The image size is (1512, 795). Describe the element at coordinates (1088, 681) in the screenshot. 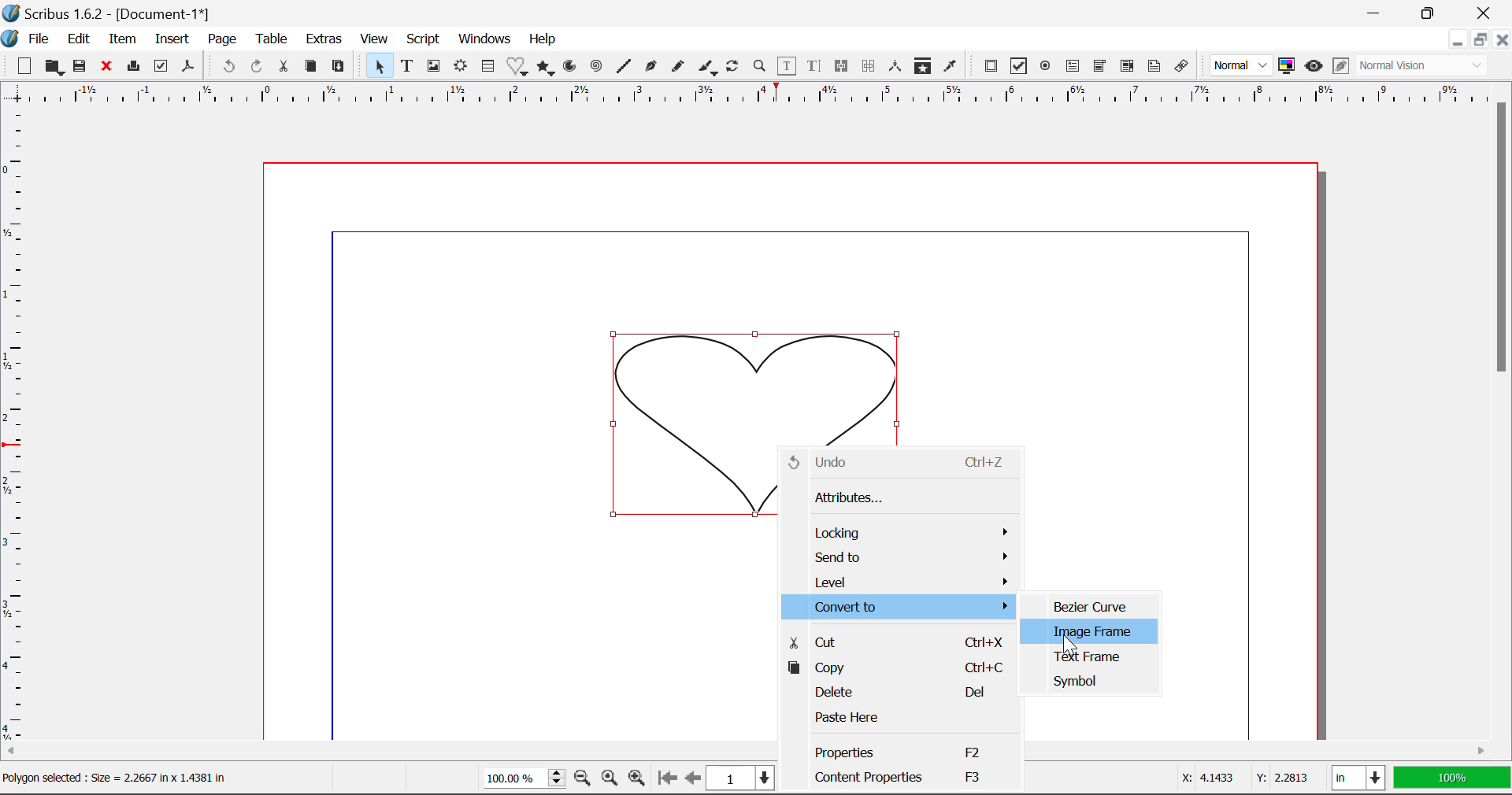

I see `Symbol` at that location.